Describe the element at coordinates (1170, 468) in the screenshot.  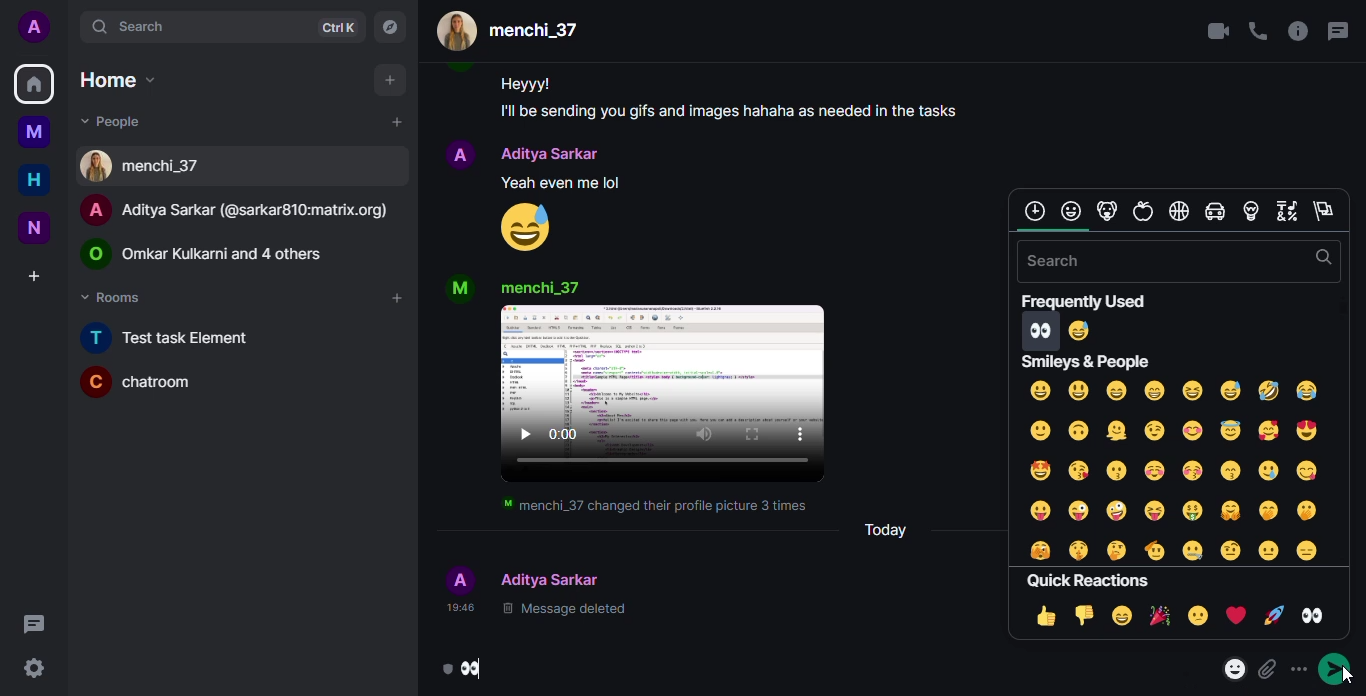
I see `smileys` at that location.